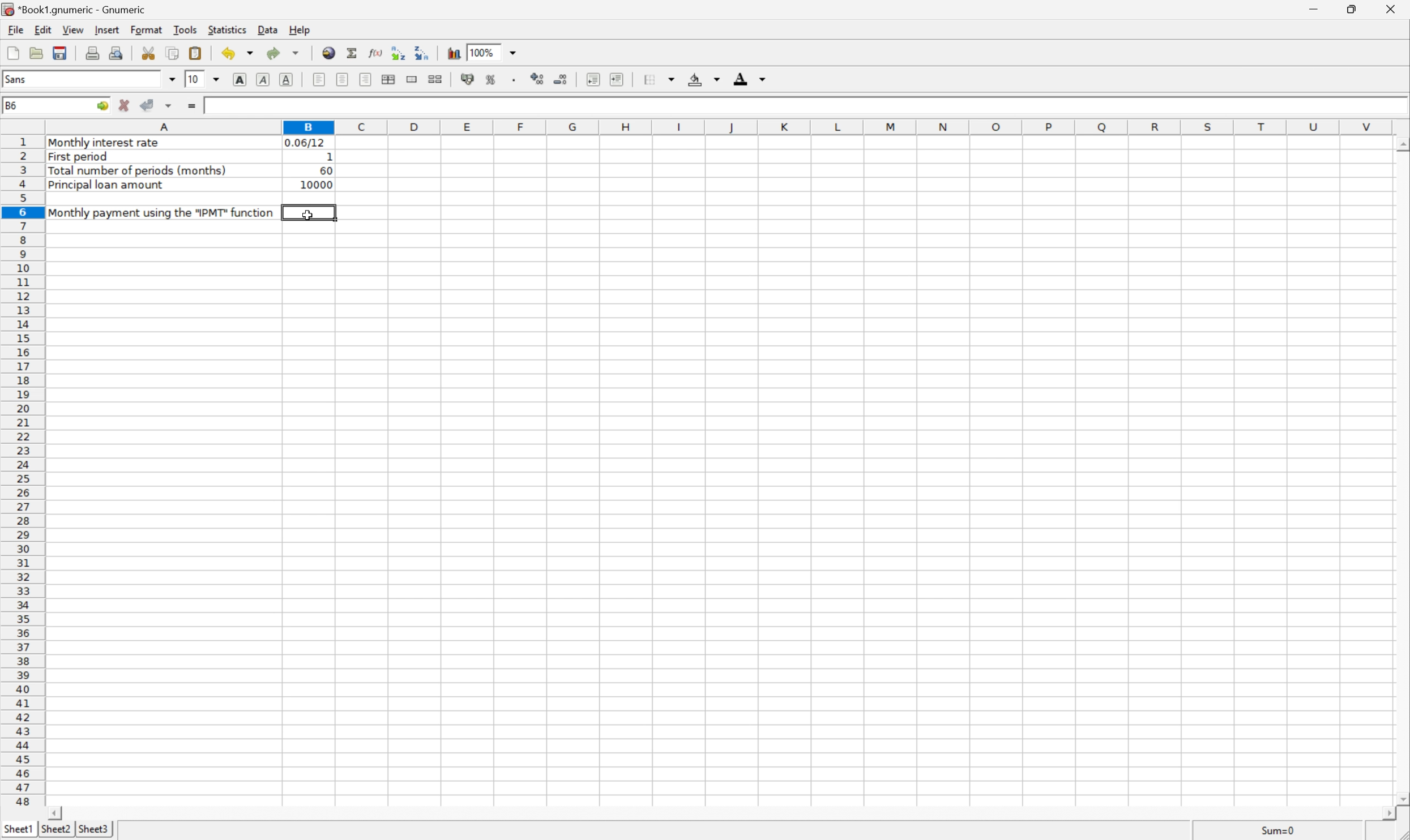  I want to click on Foreground, so click(748, 78).